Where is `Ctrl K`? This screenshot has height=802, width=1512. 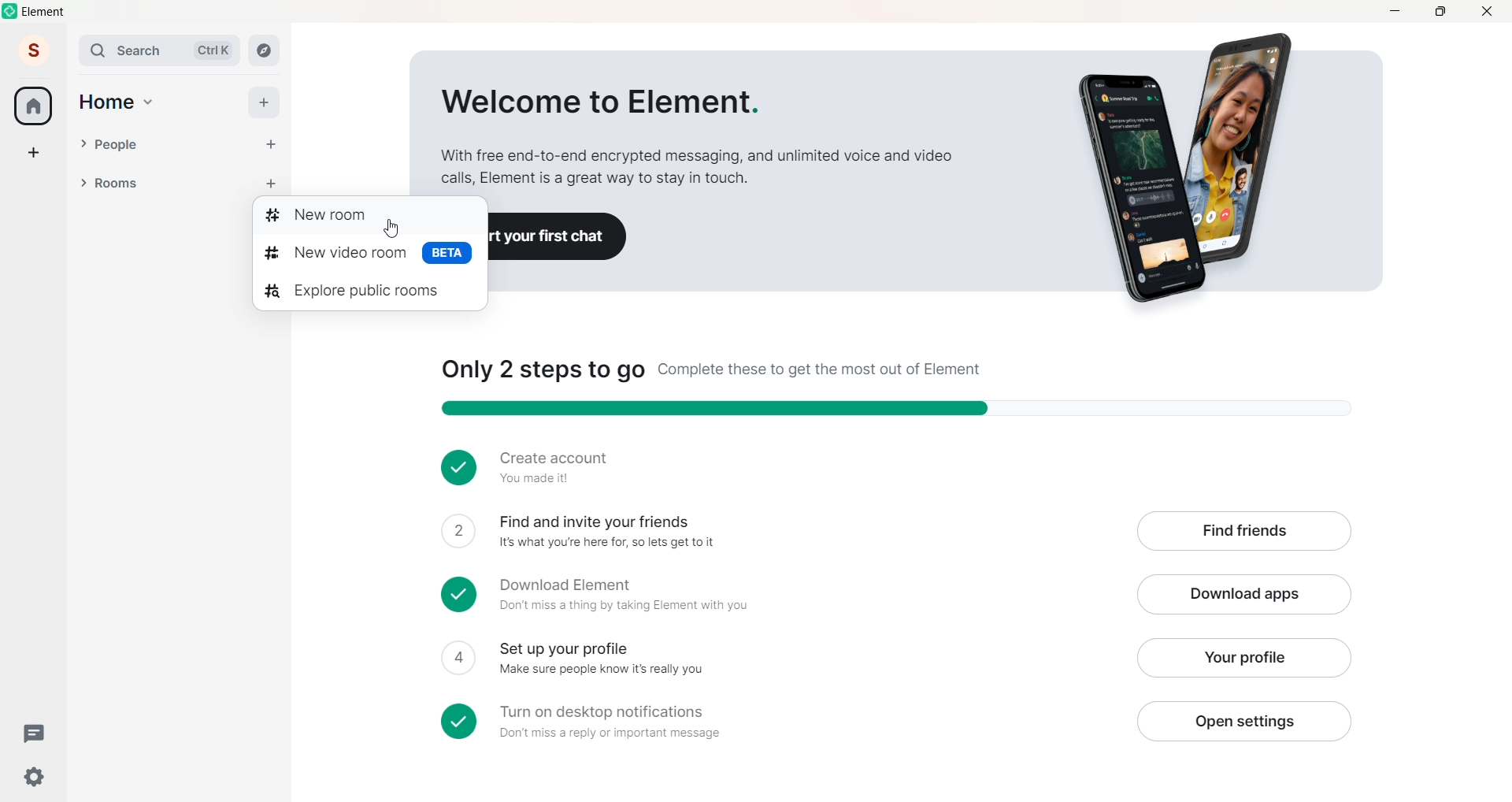 Ctrl K is located at coordinates (213, 50).